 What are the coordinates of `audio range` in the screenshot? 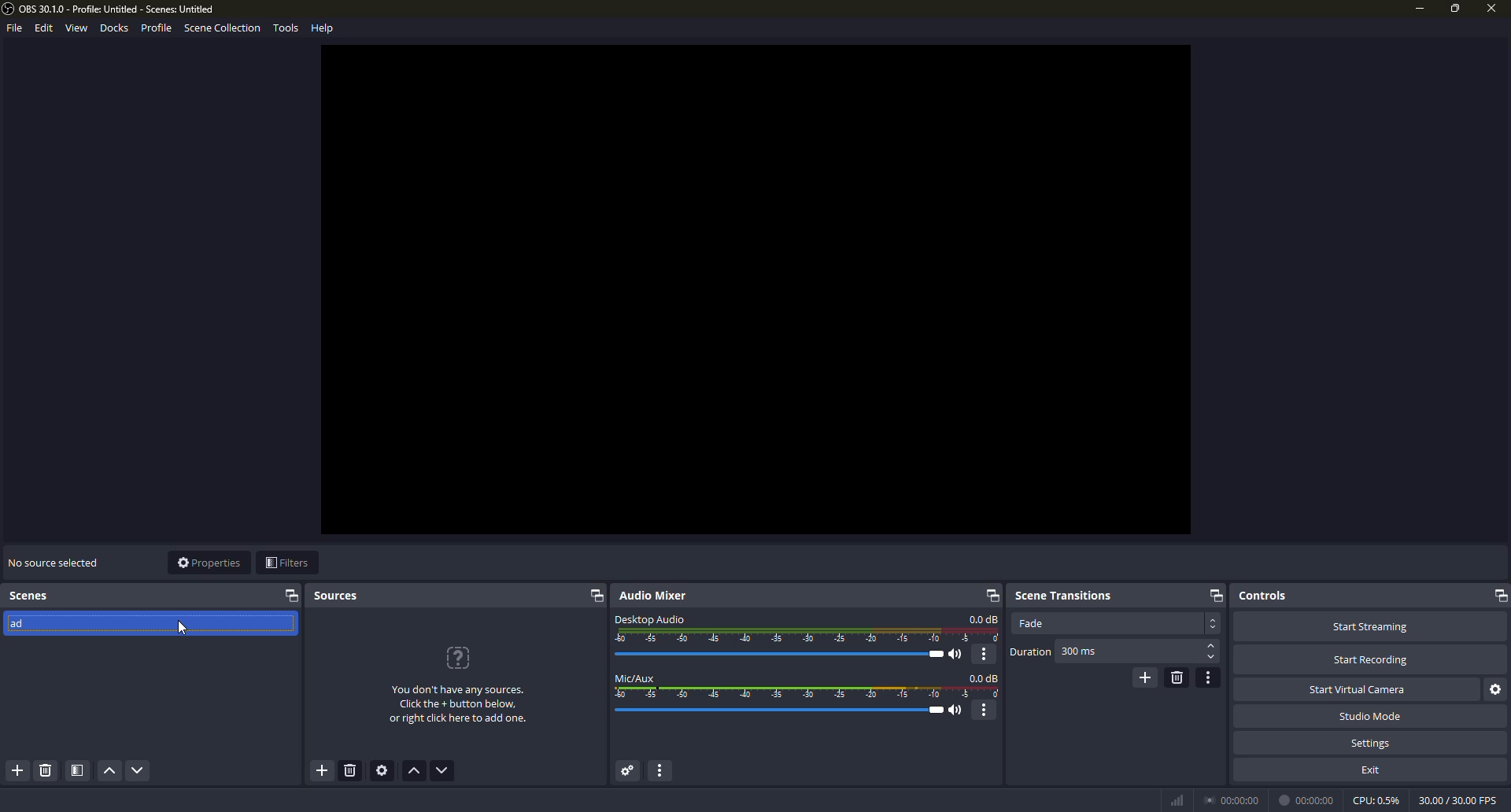 It's located at (808, 636).